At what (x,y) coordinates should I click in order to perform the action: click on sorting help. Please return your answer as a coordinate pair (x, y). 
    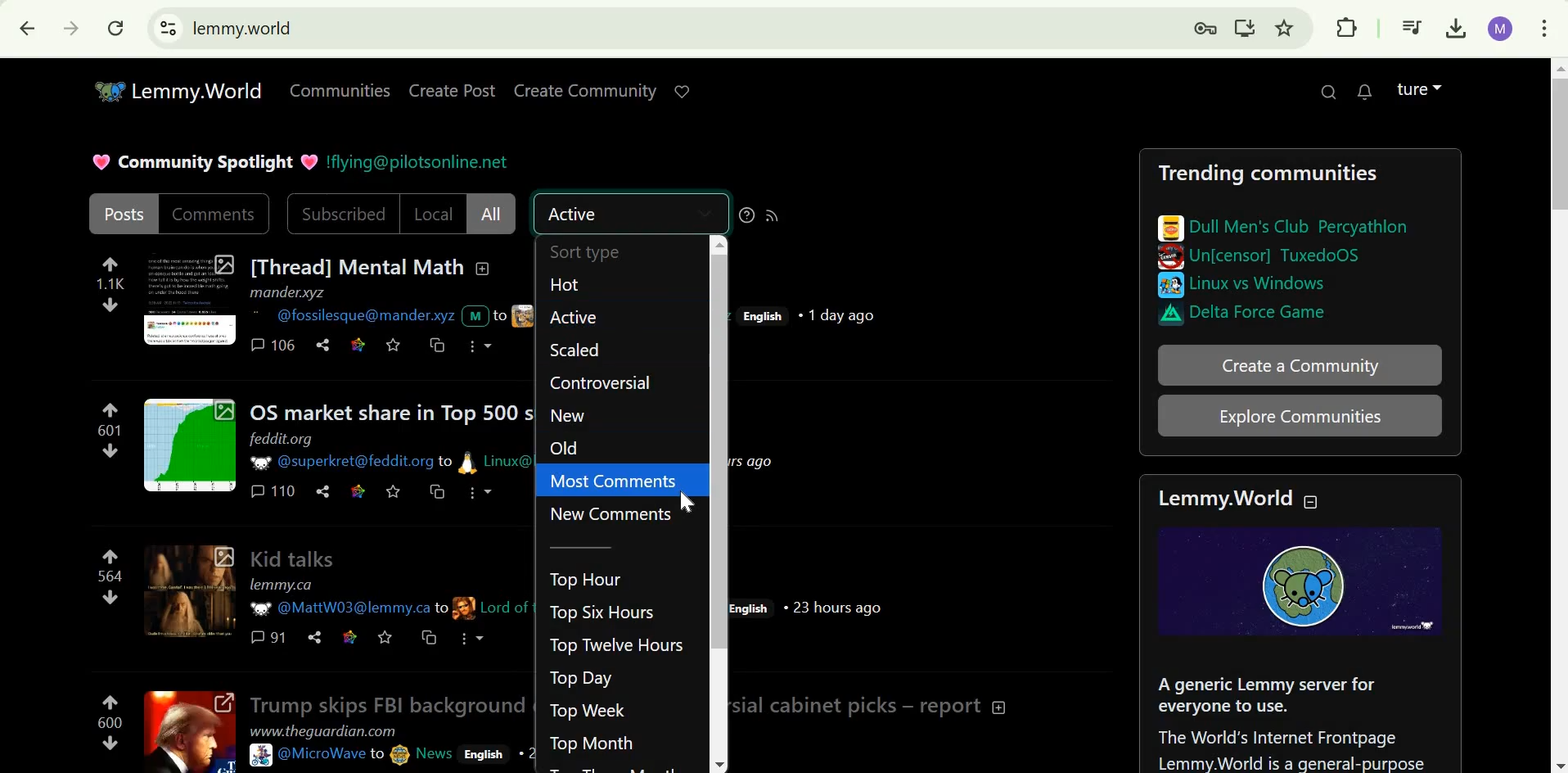
    Looking at the image, I should click on (747, 215).